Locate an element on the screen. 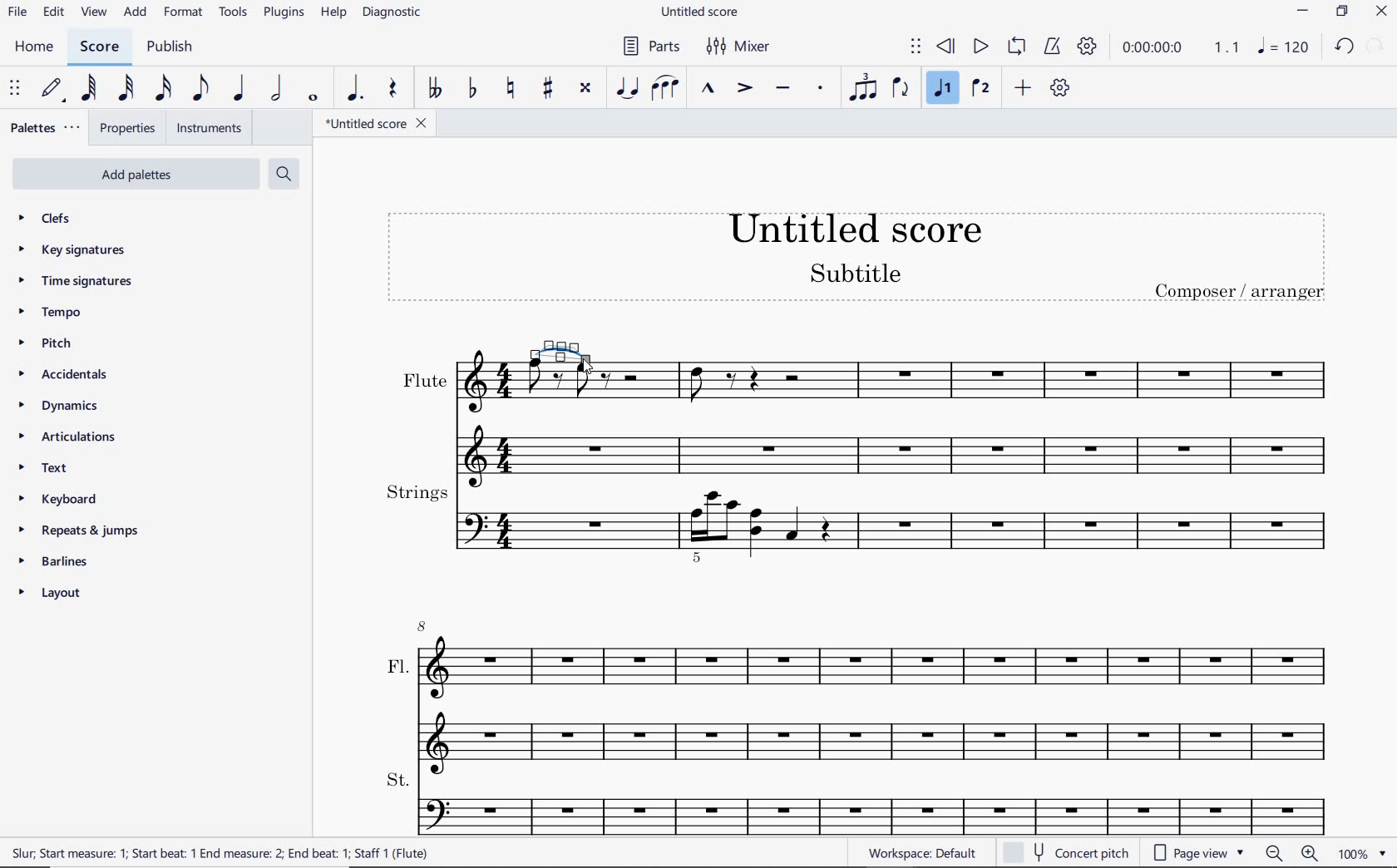 The height and width of the screenshot is (868, 1397). page view is located at coordinates (1197, 852).